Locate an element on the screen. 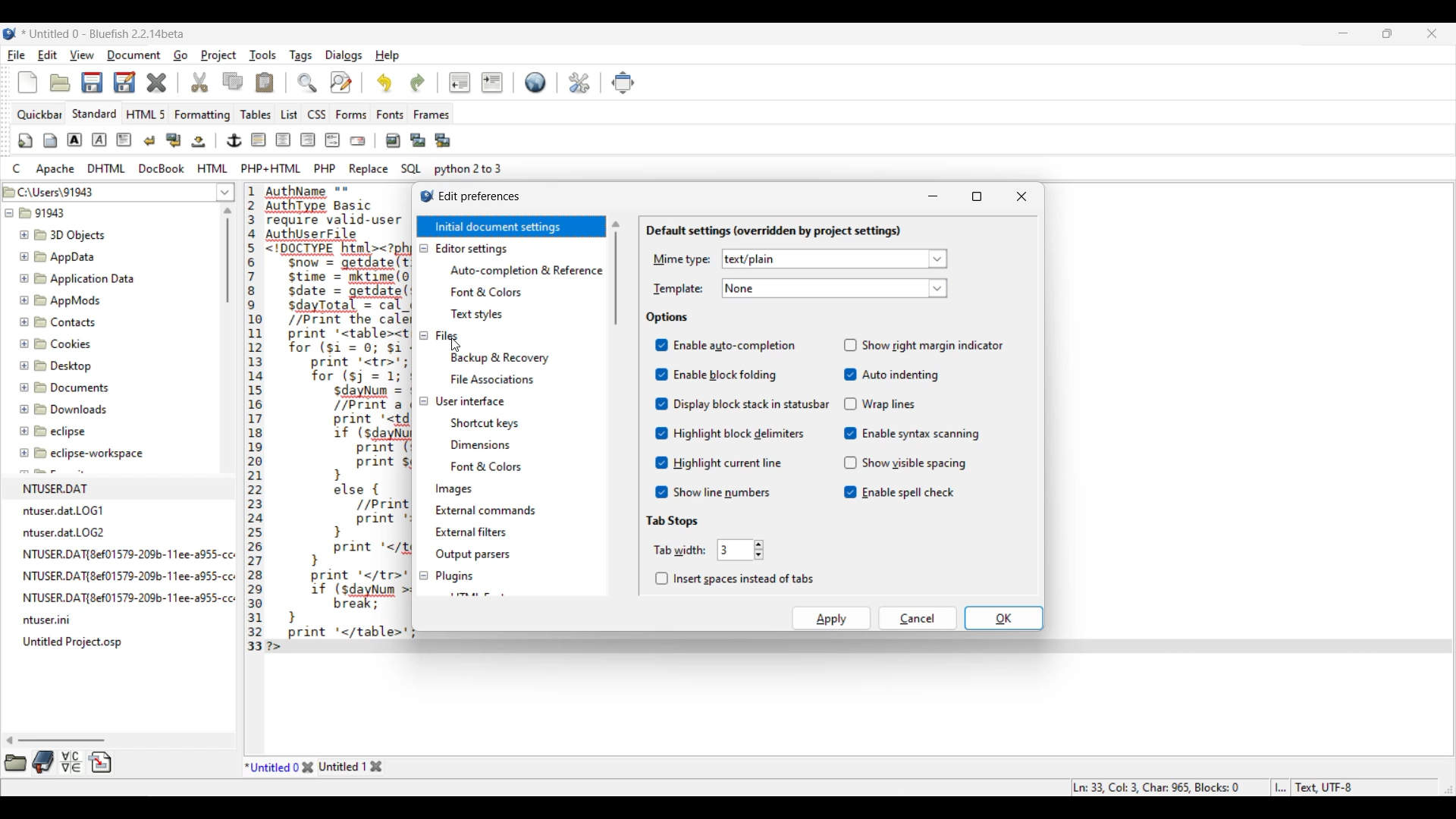 Image resolution: width=1456 pixels, height=819 pixels. Compyter code options is located at coordinates (257, 168).